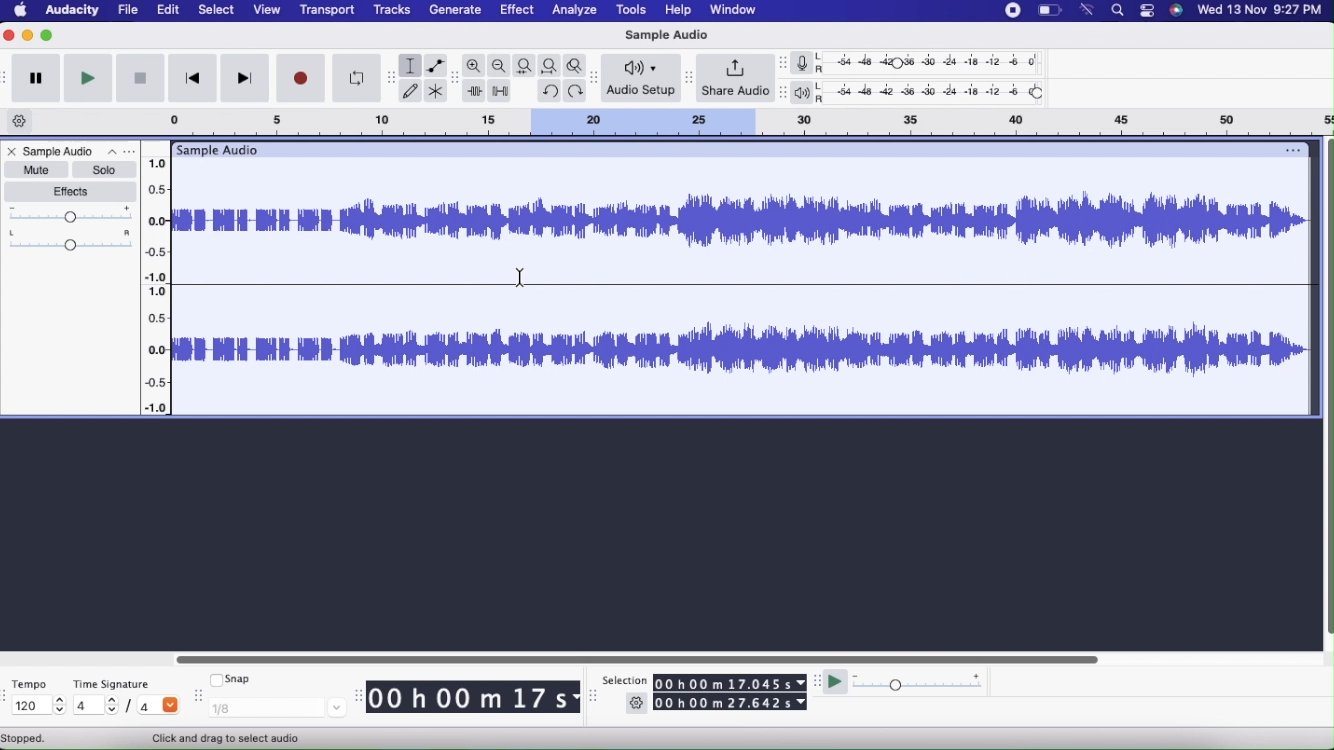  Describe the element at coordinates (691, 80) in the screenshot. I see `move toolbar` at that location.